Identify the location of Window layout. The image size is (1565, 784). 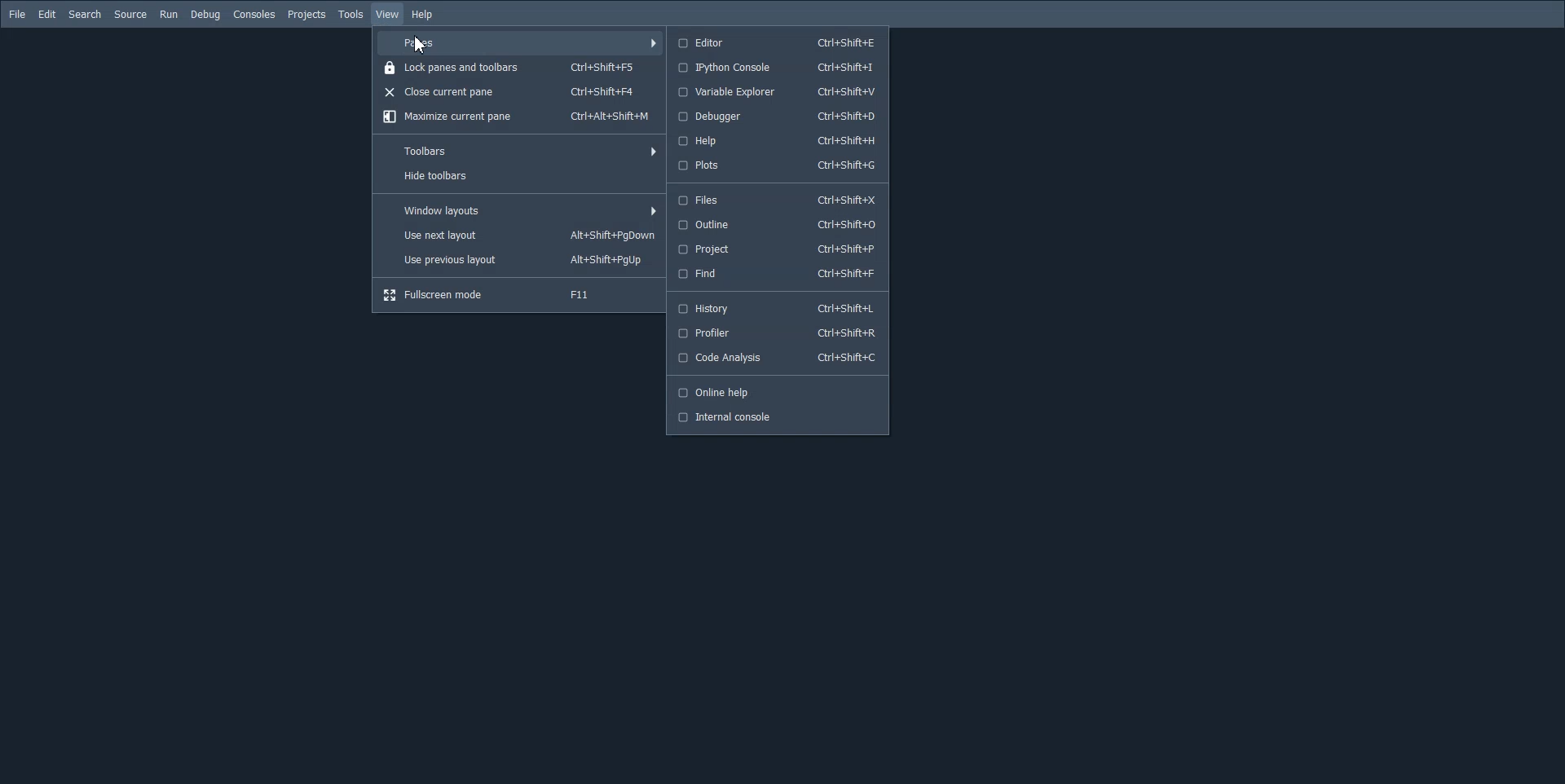
(519, 209).